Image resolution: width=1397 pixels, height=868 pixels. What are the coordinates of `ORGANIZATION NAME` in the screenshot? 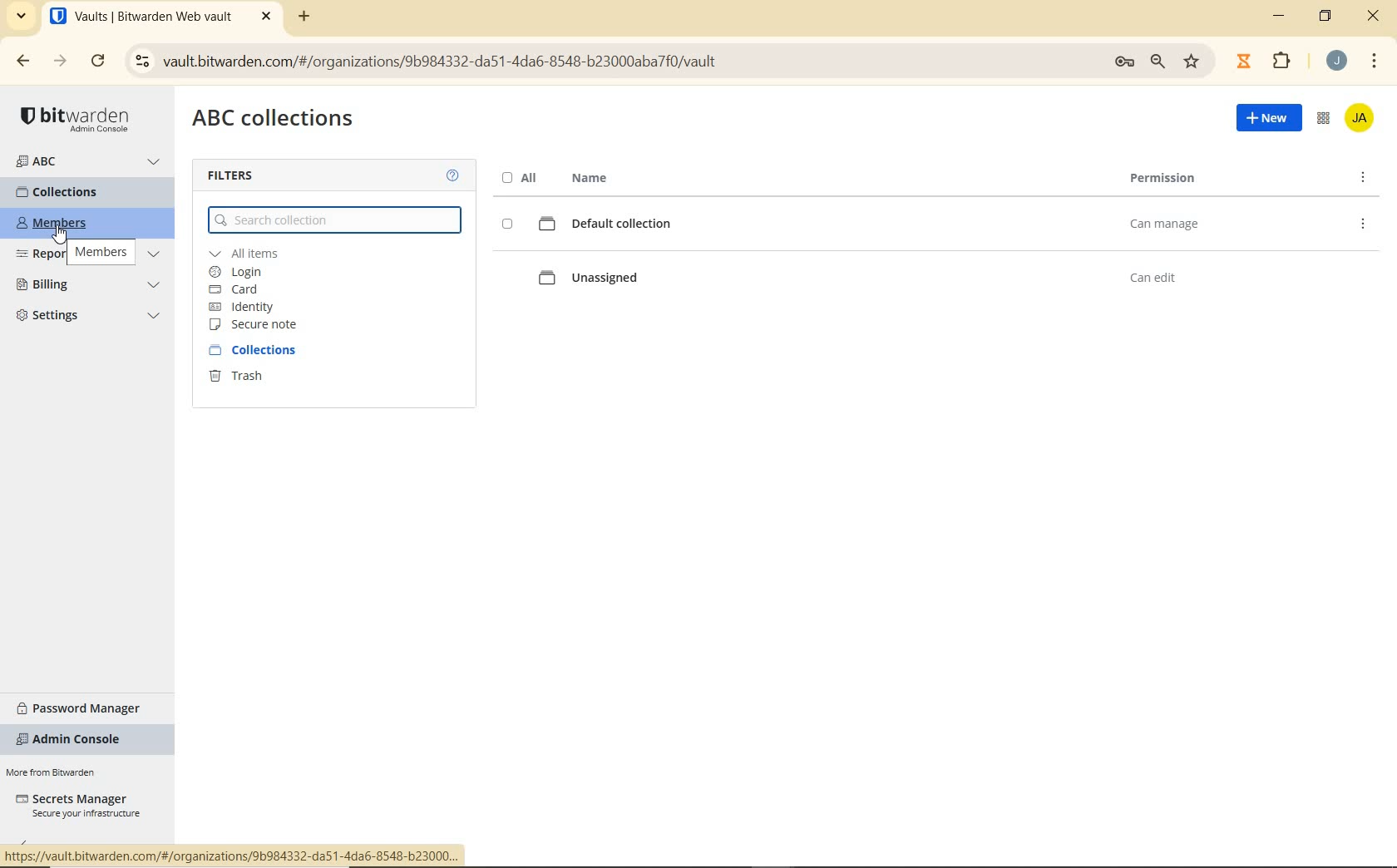 It's located at (90, 162).